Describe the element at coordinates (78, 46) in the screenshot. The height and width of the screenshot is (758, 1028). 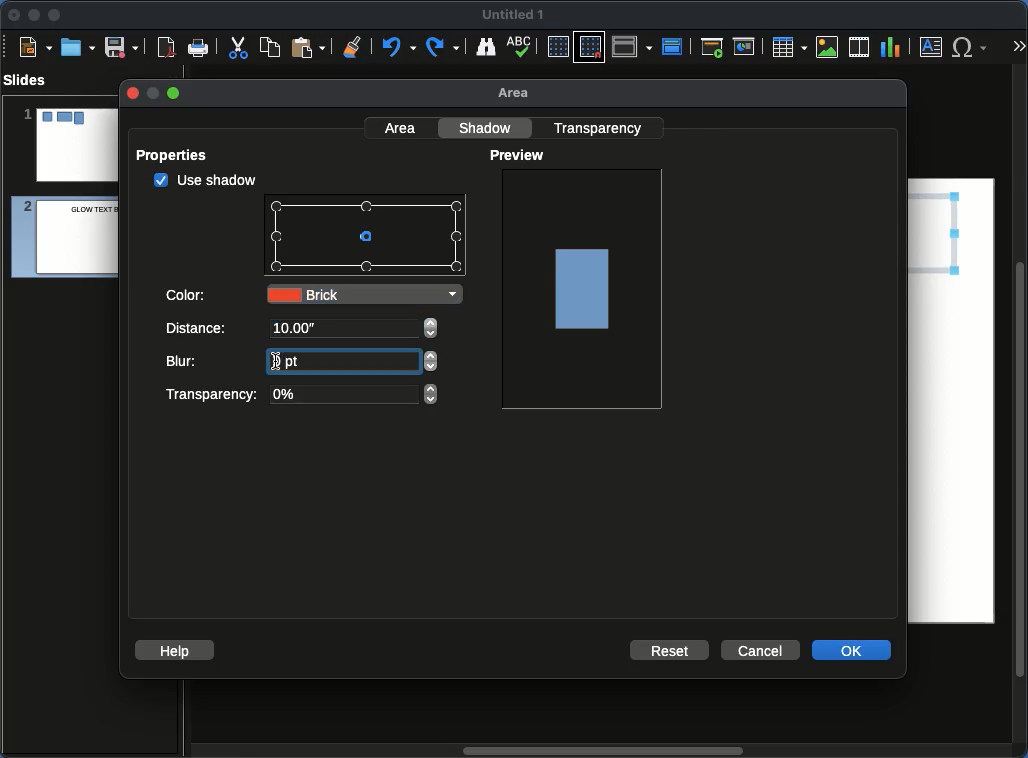
I see `Ope` at that location.